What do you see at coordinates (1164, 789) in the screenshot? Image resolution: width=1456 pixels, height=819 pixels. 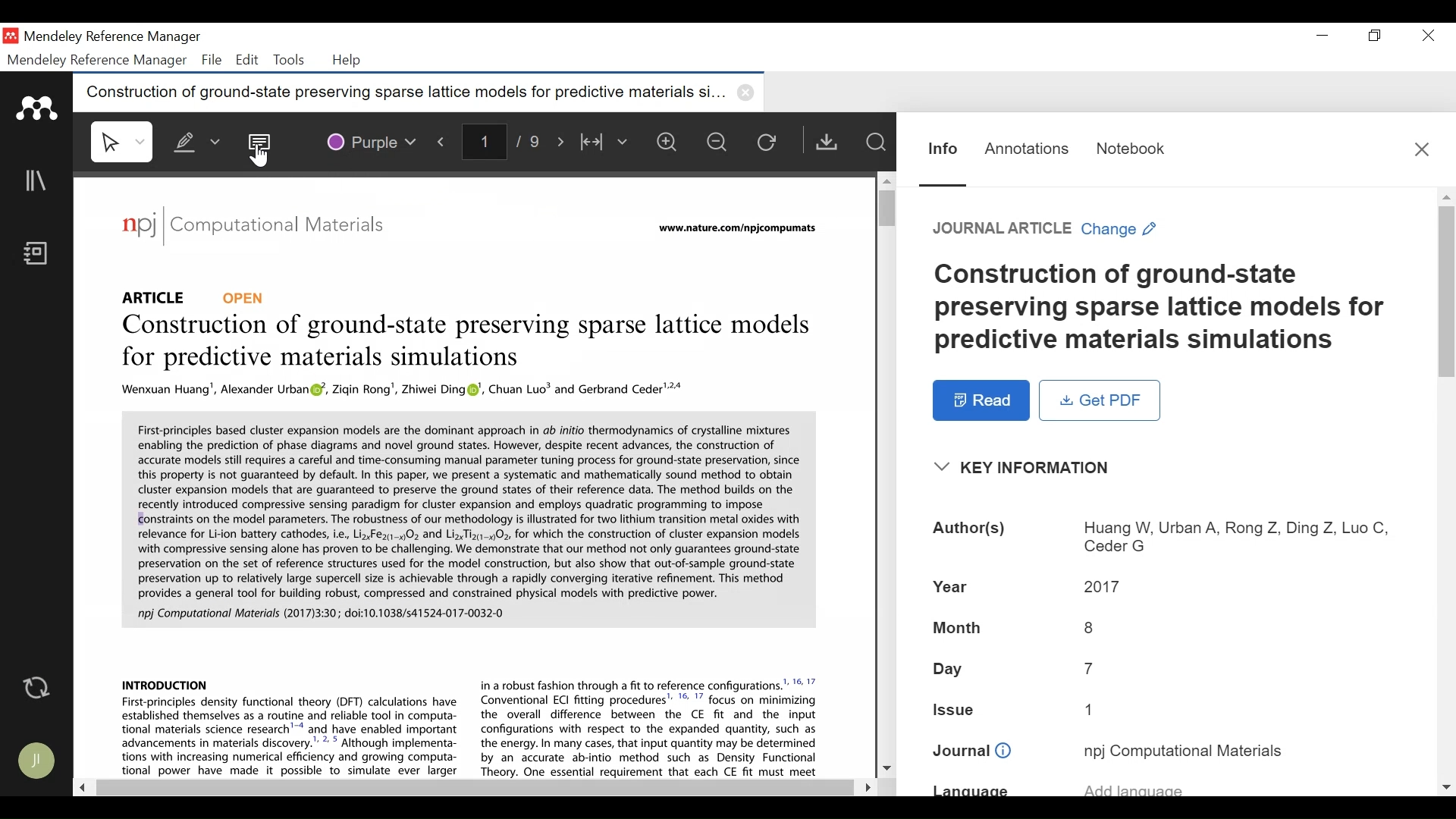 I see `Language` at bounding box center [1164, 789].